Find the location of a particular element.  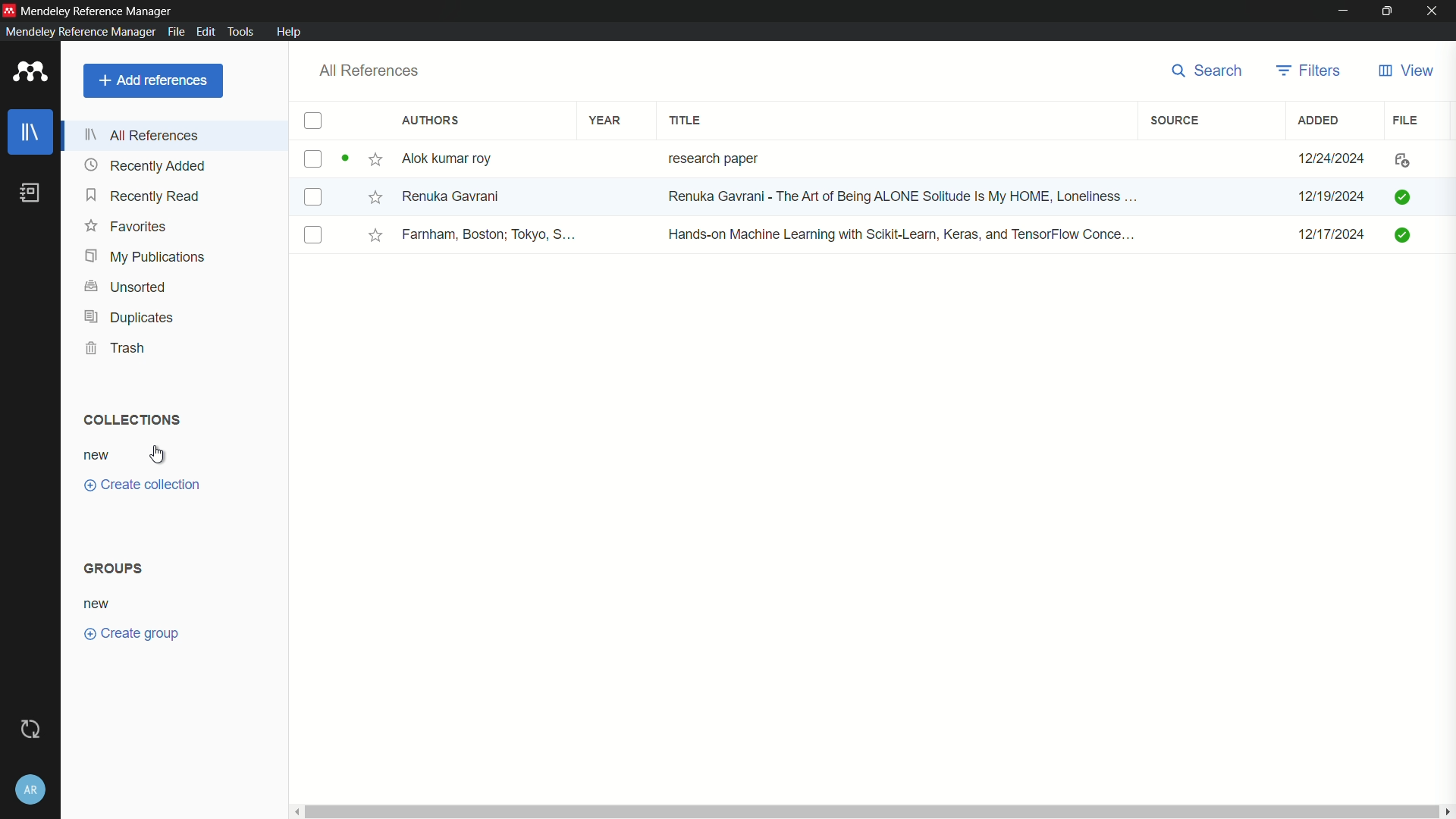

cursor is located at coordinates (158, 453).